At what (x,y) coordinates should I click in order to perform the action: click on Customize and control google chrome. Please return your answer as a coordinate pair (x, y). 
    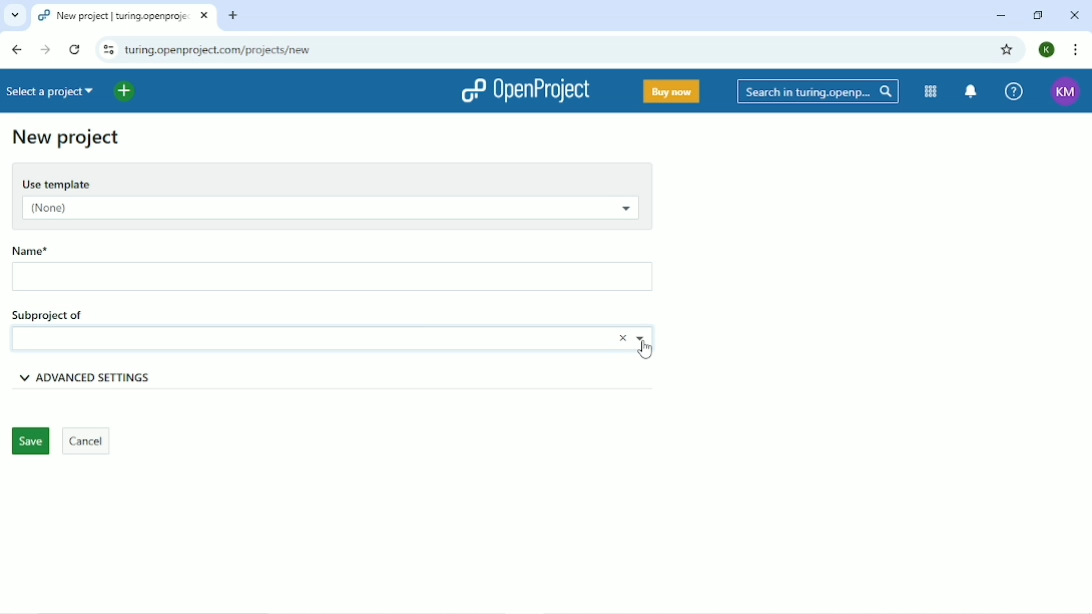
    Looking at the image, I should click on (1076, 49).